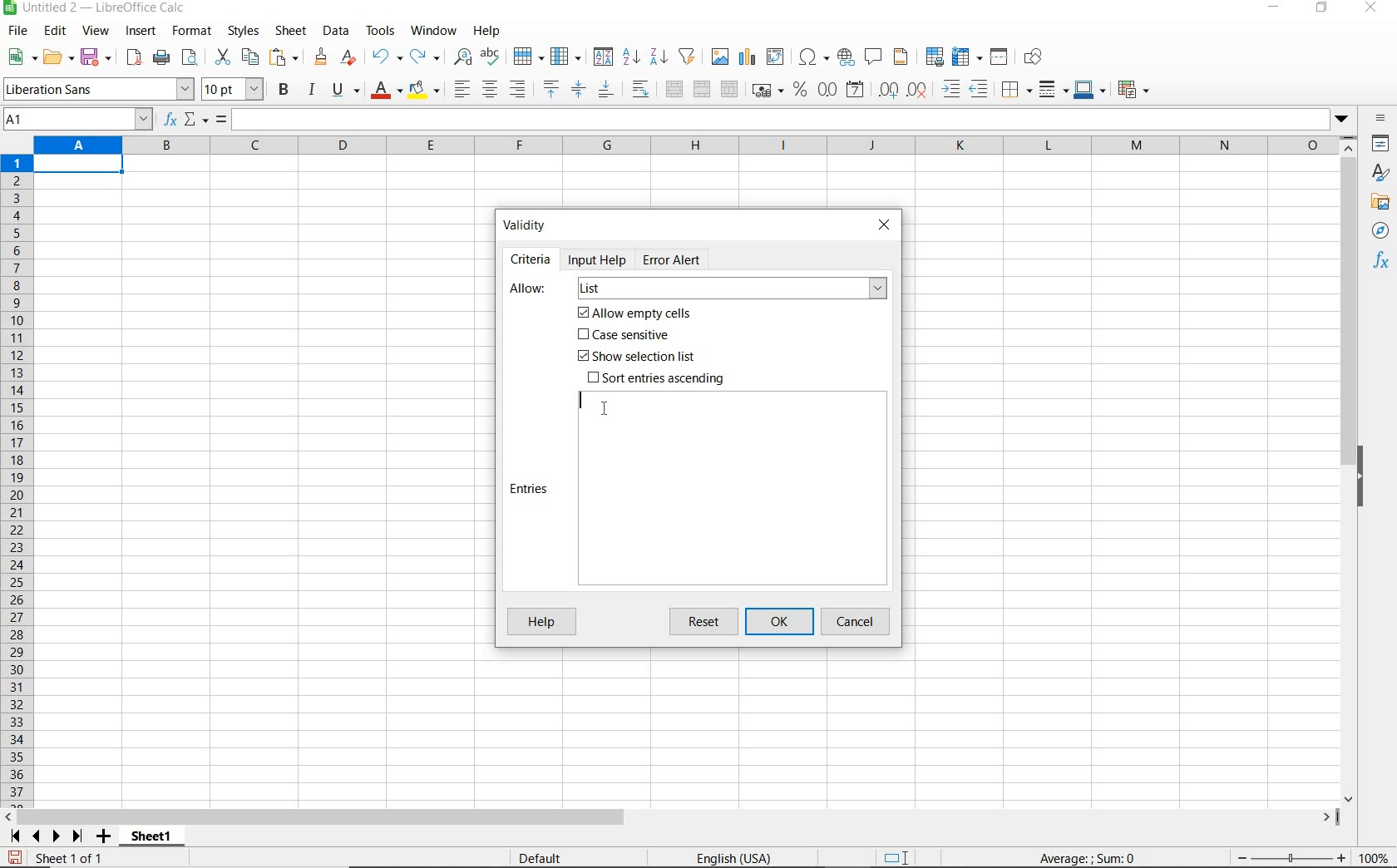  I want to click on Error Alert, so click(681, 259).